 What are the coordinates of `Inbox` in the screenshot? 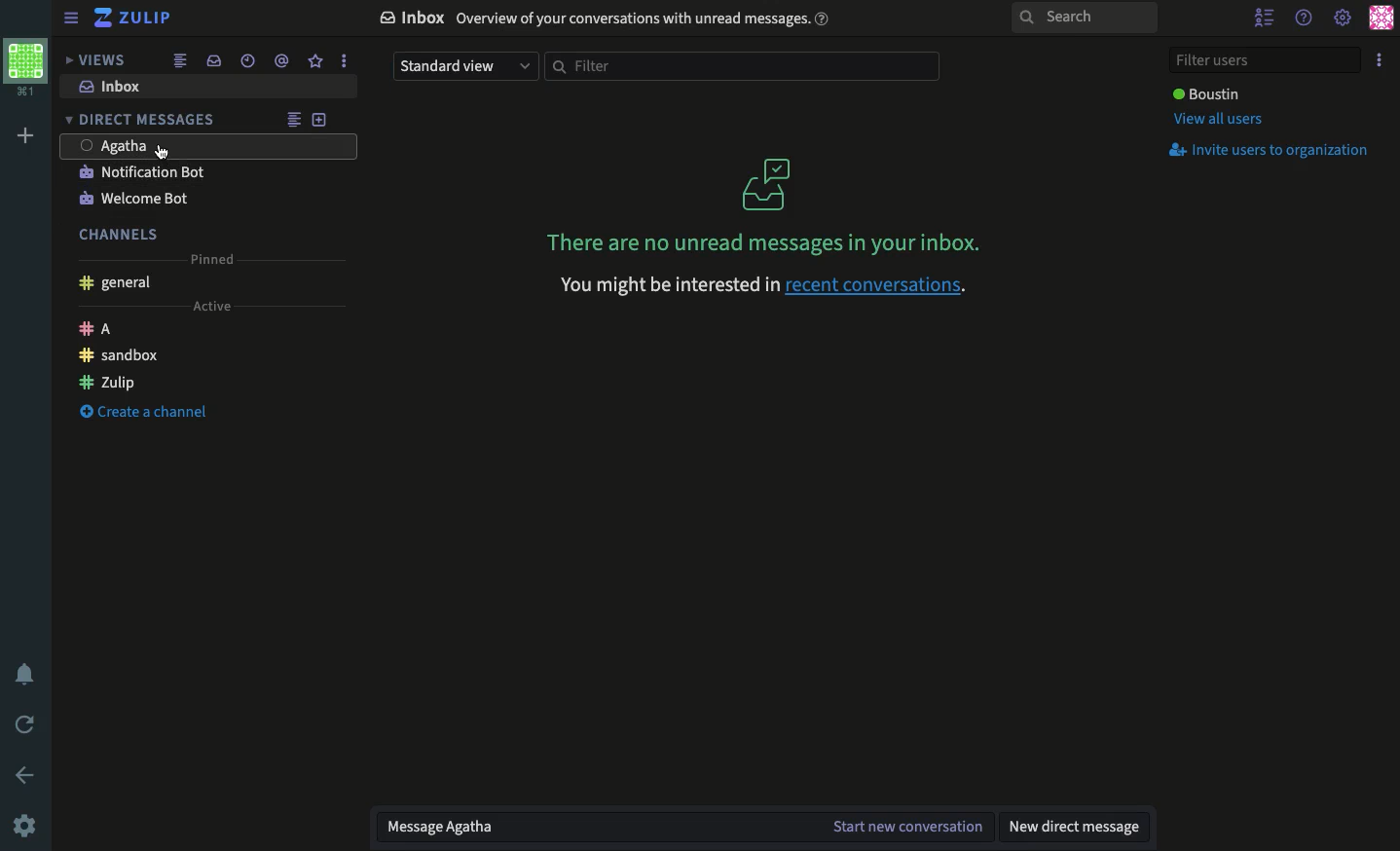 It's located at (215, 59).